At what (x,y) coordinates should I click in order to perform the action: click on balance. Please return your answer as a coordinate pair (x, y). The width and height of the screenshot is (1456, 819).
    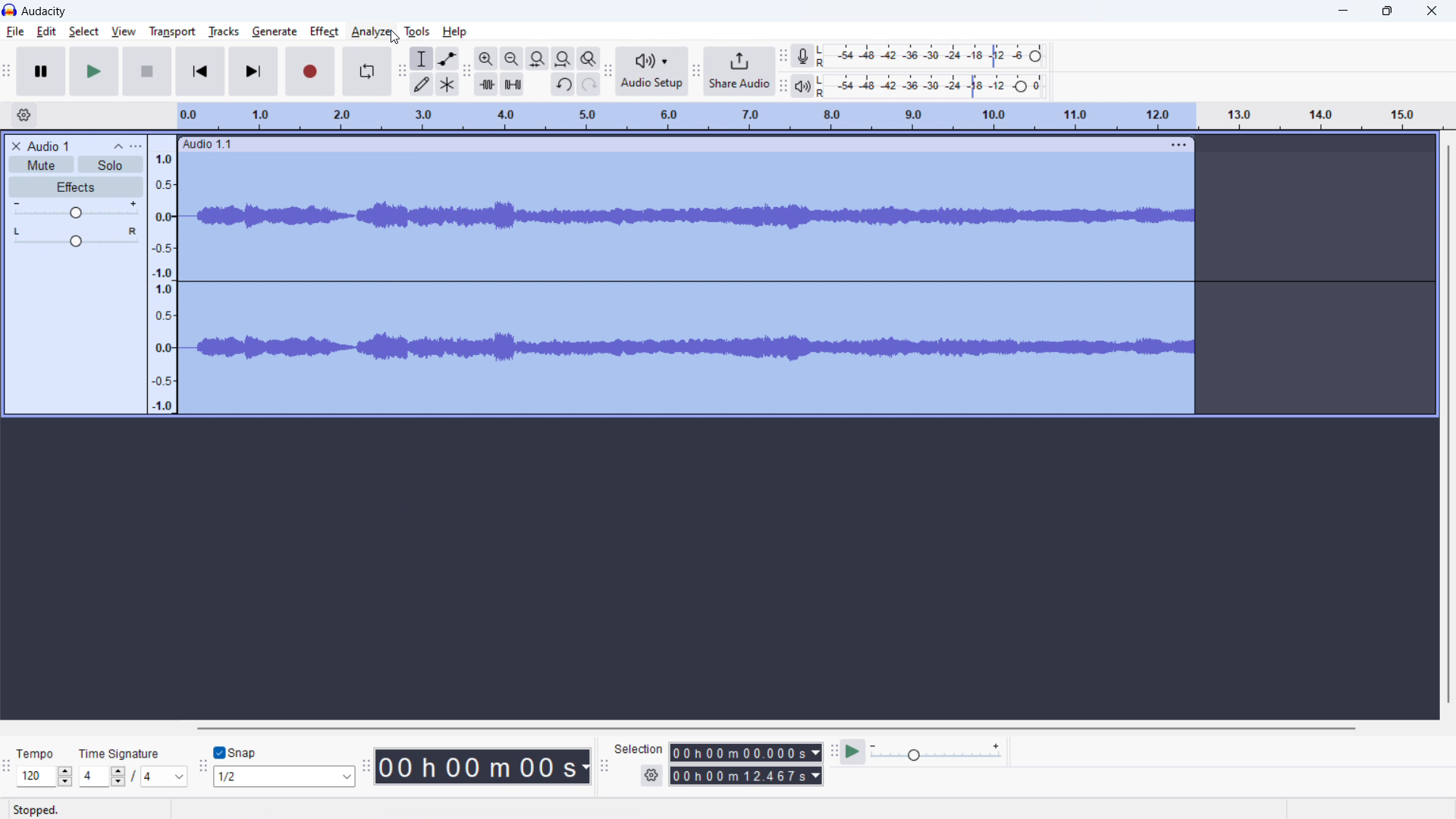
    Looking at the image, I should click on (75, 238).